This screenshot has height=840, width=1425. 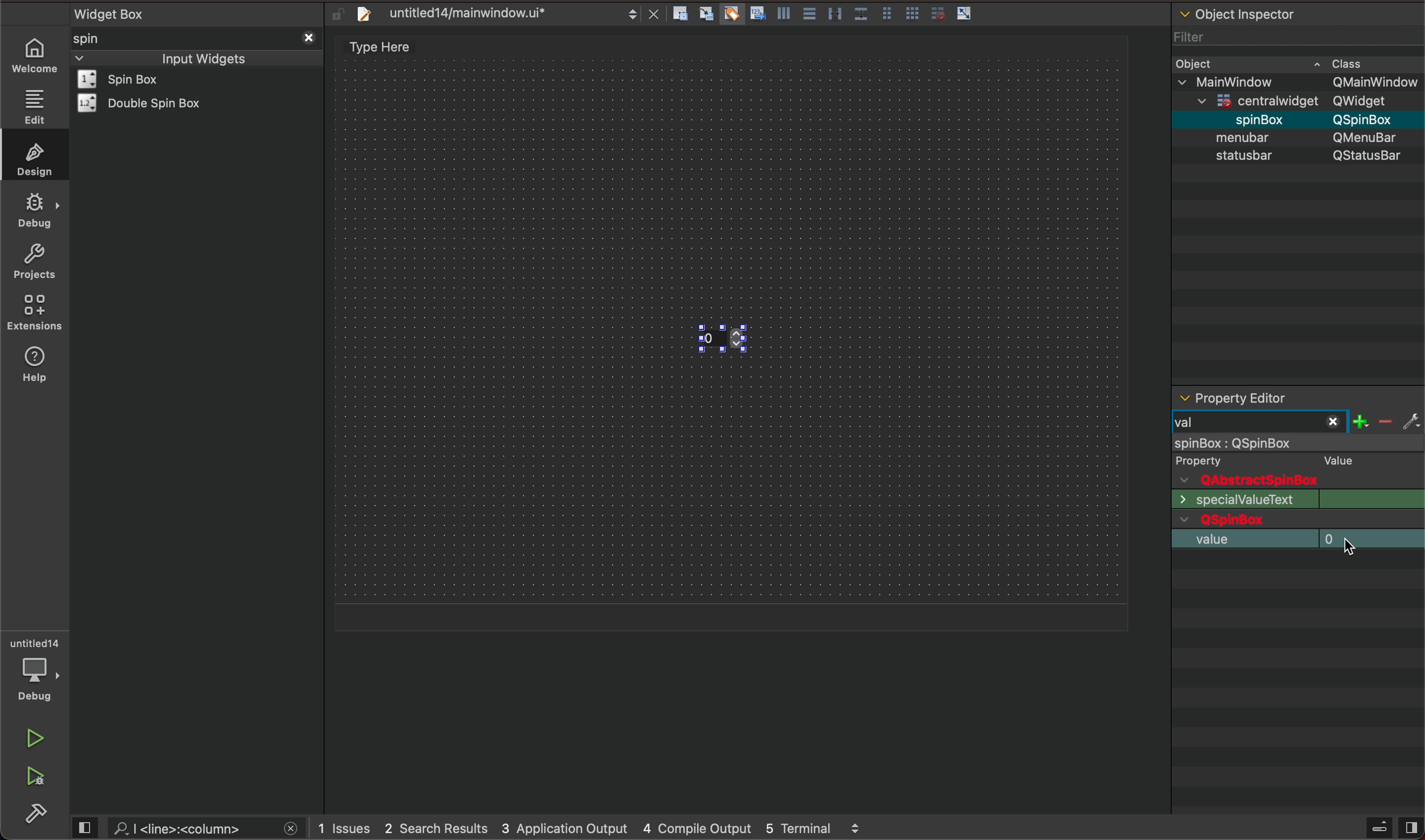 What do you see at coordinates (105, 38) in the screenshot?
I see `spin` at bounding box center [105, 38].